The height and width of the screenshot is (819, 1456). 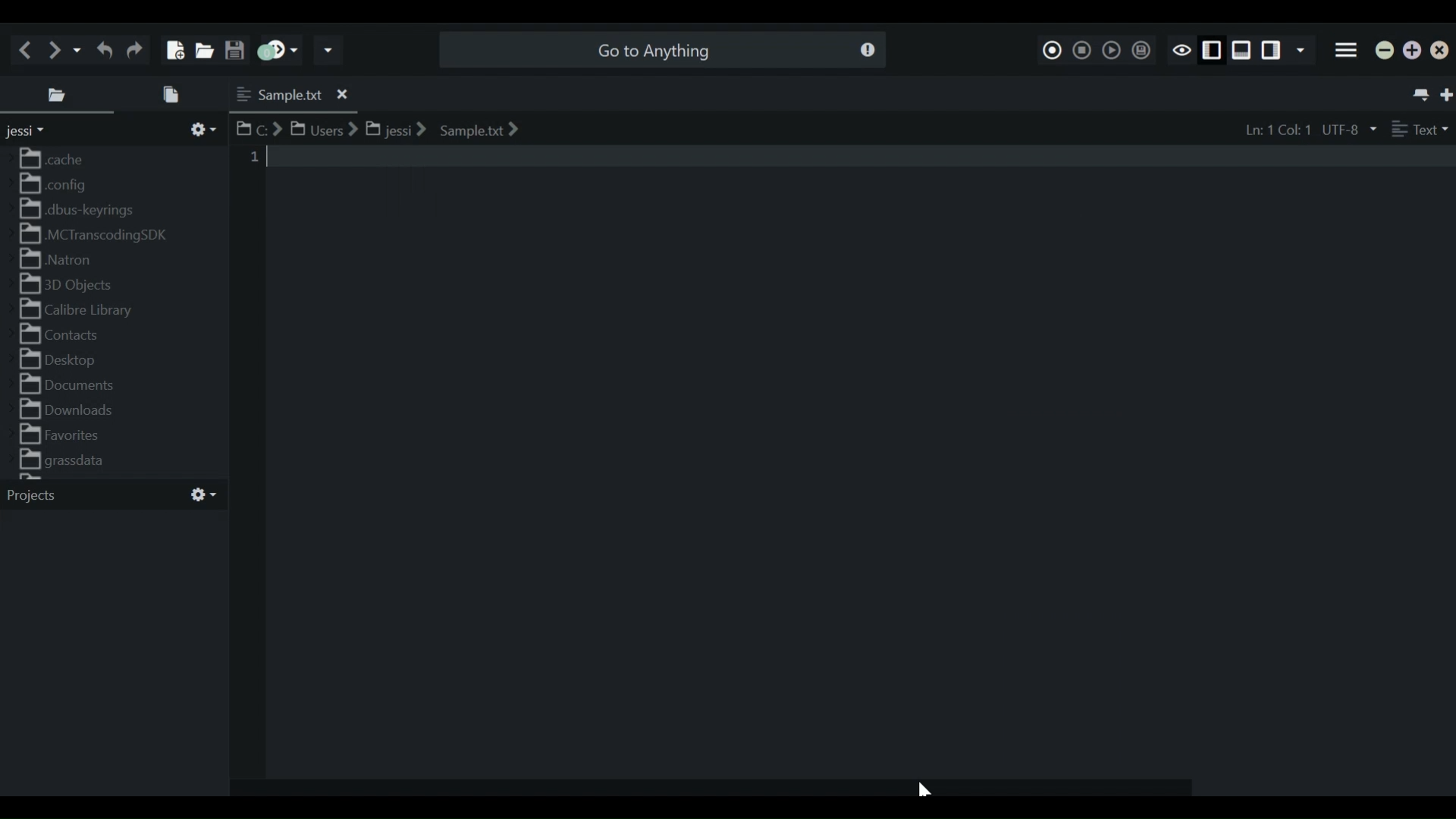 What do you see at coordinates (1439, 52) in the screenshot?
I see `Close` at bounding box center [1439, 52].